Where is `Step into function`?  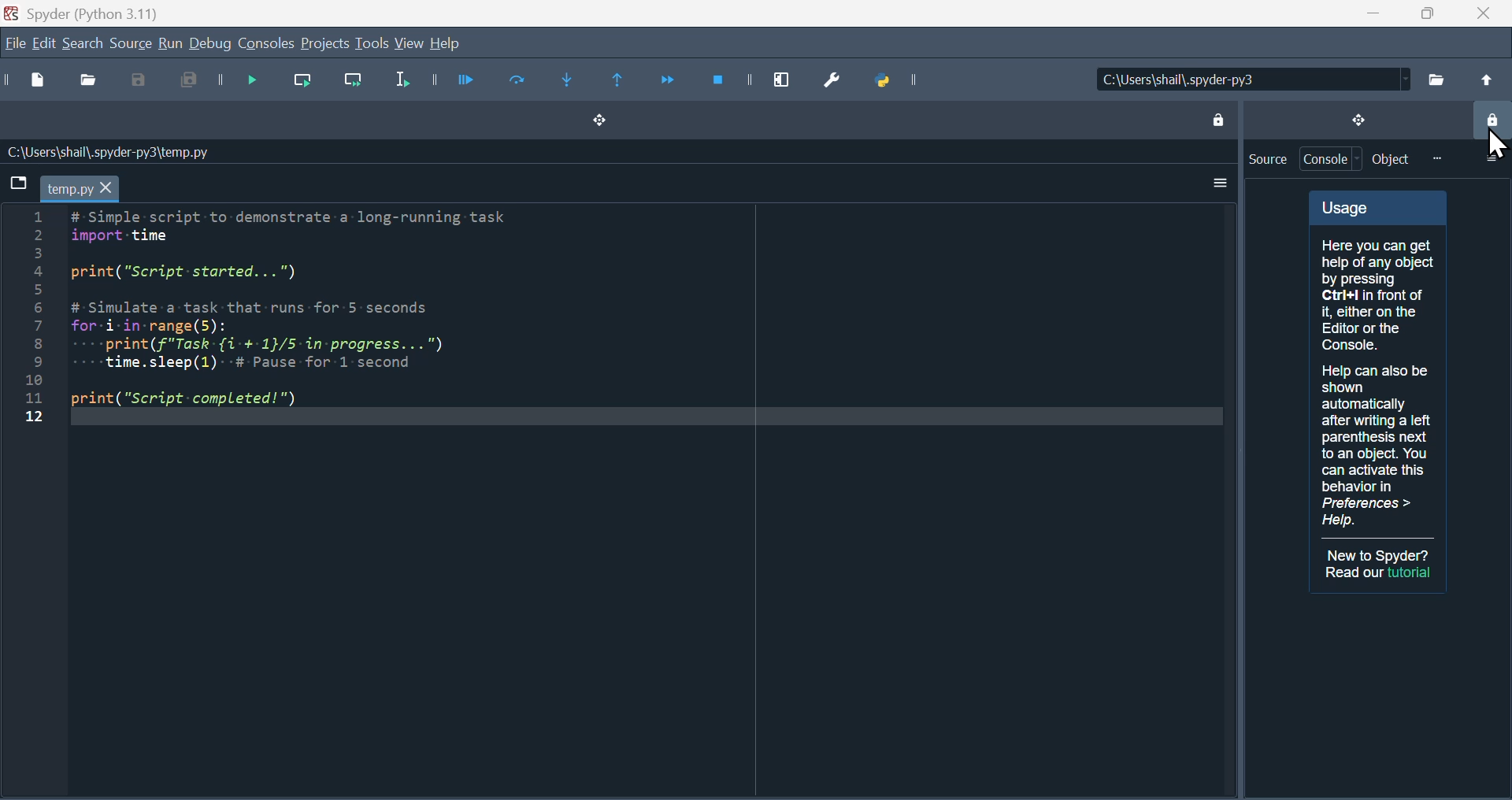 Step into function is located at coordinates (575, 83).